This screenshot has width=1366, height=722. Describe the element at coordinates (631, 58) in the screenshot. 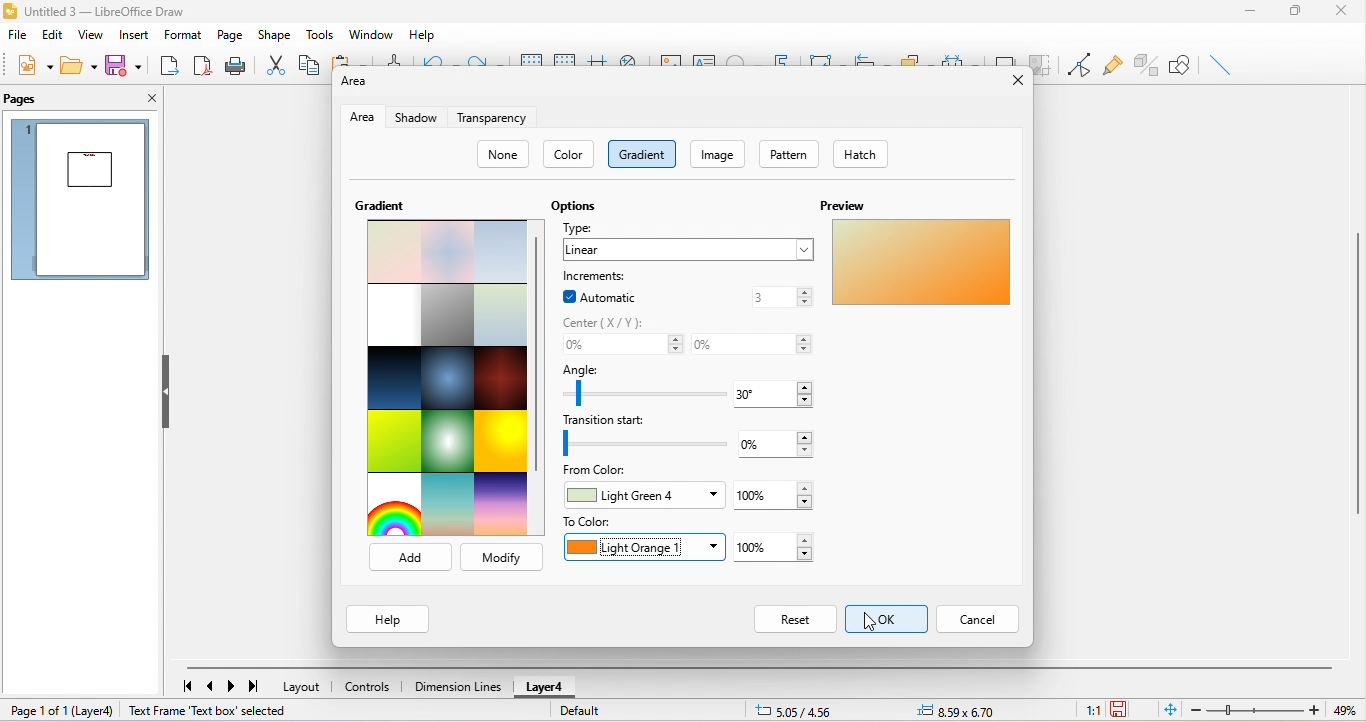

I see `zoom and pan` at that location.